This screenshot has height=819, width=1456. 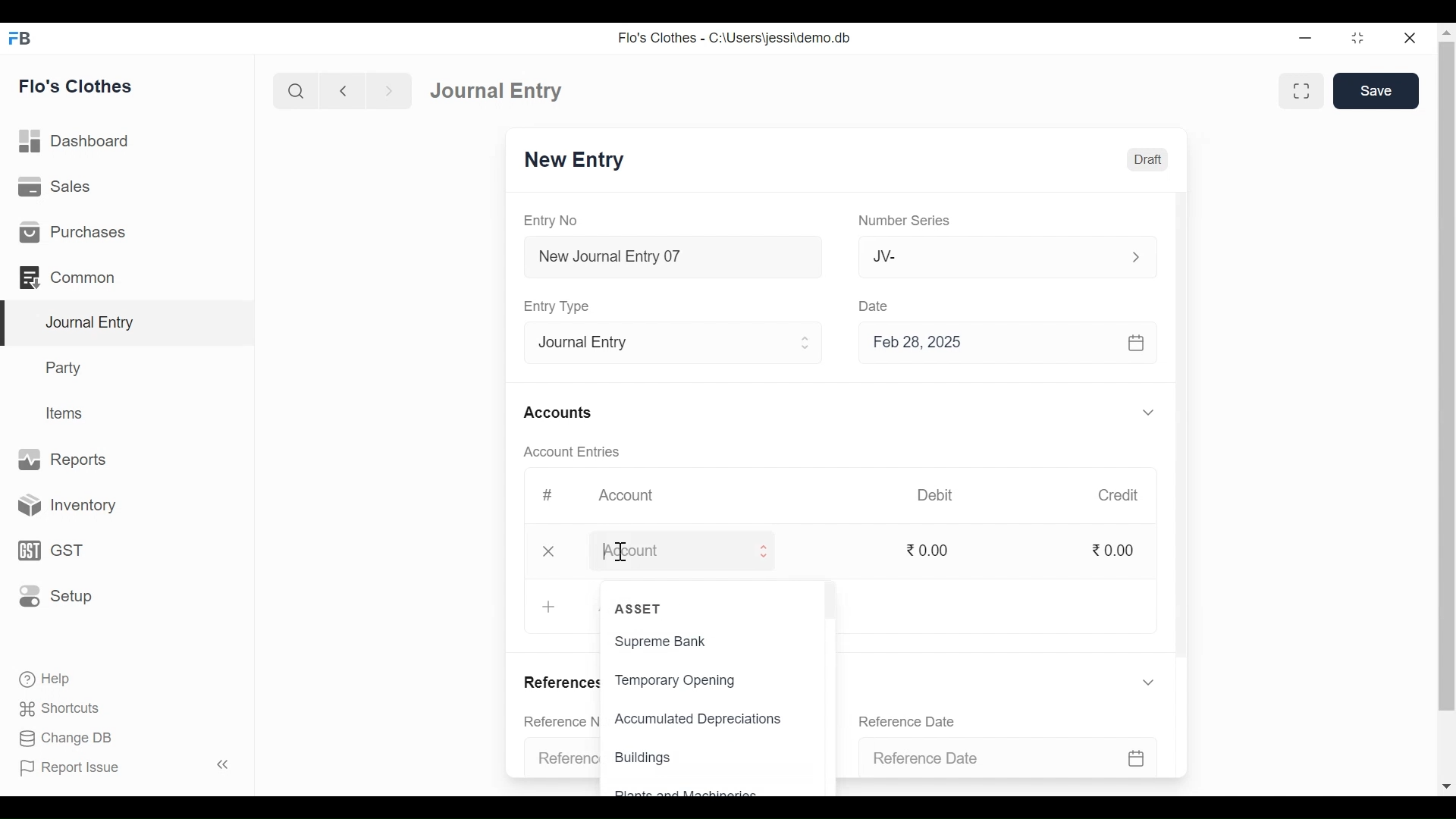 What do you see at coordinates (767, 554) in the screenshot?
I see `Expand` at bounding box center [767, 554].